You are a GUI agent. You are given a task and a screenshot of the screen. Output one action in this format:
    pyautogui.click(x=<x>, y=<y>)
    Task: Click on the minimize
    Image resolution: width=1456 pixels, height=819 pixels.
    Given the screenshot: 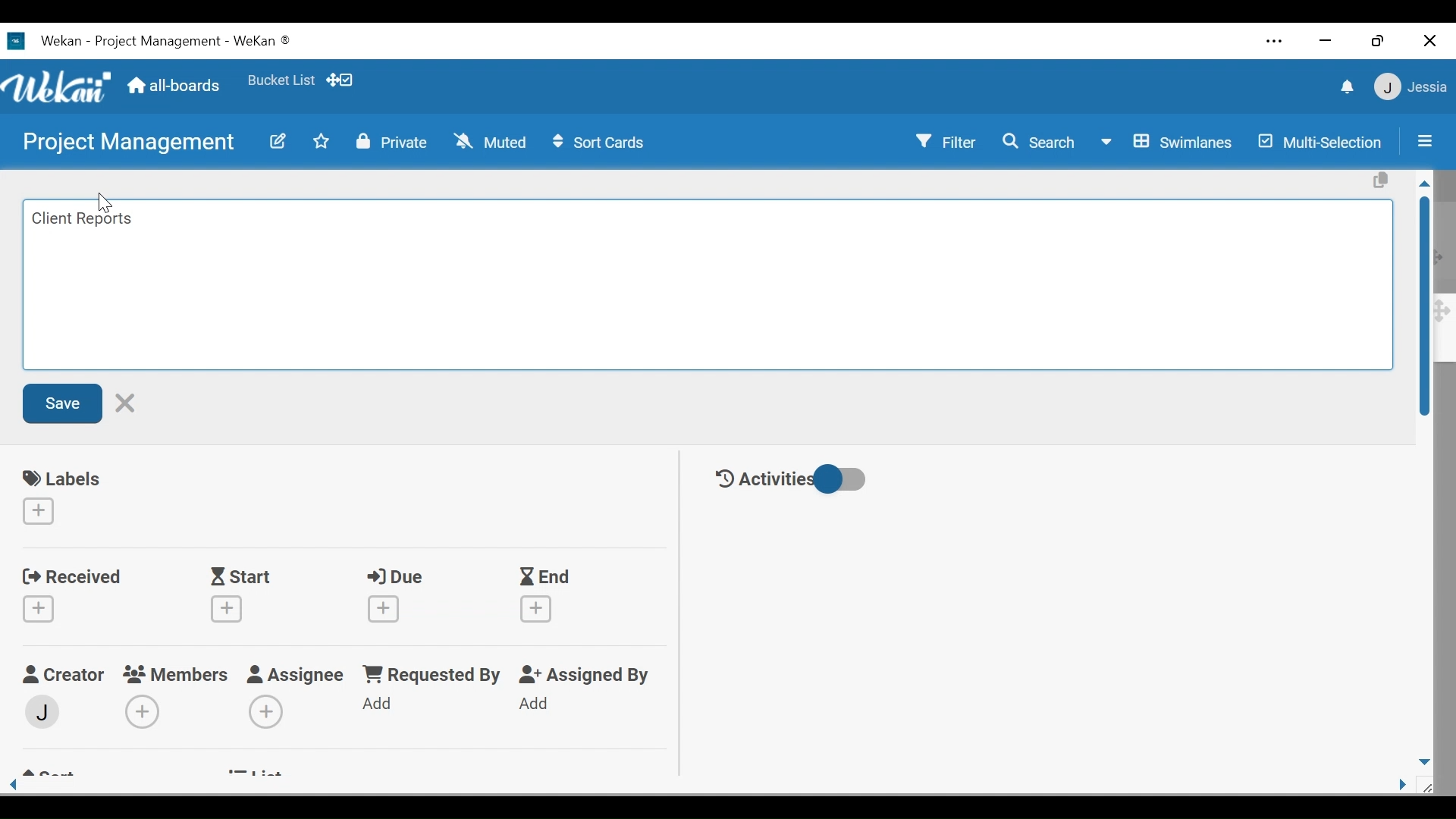 What is the action you would take?
    pyautogui.click(x=1326, y=41)
    